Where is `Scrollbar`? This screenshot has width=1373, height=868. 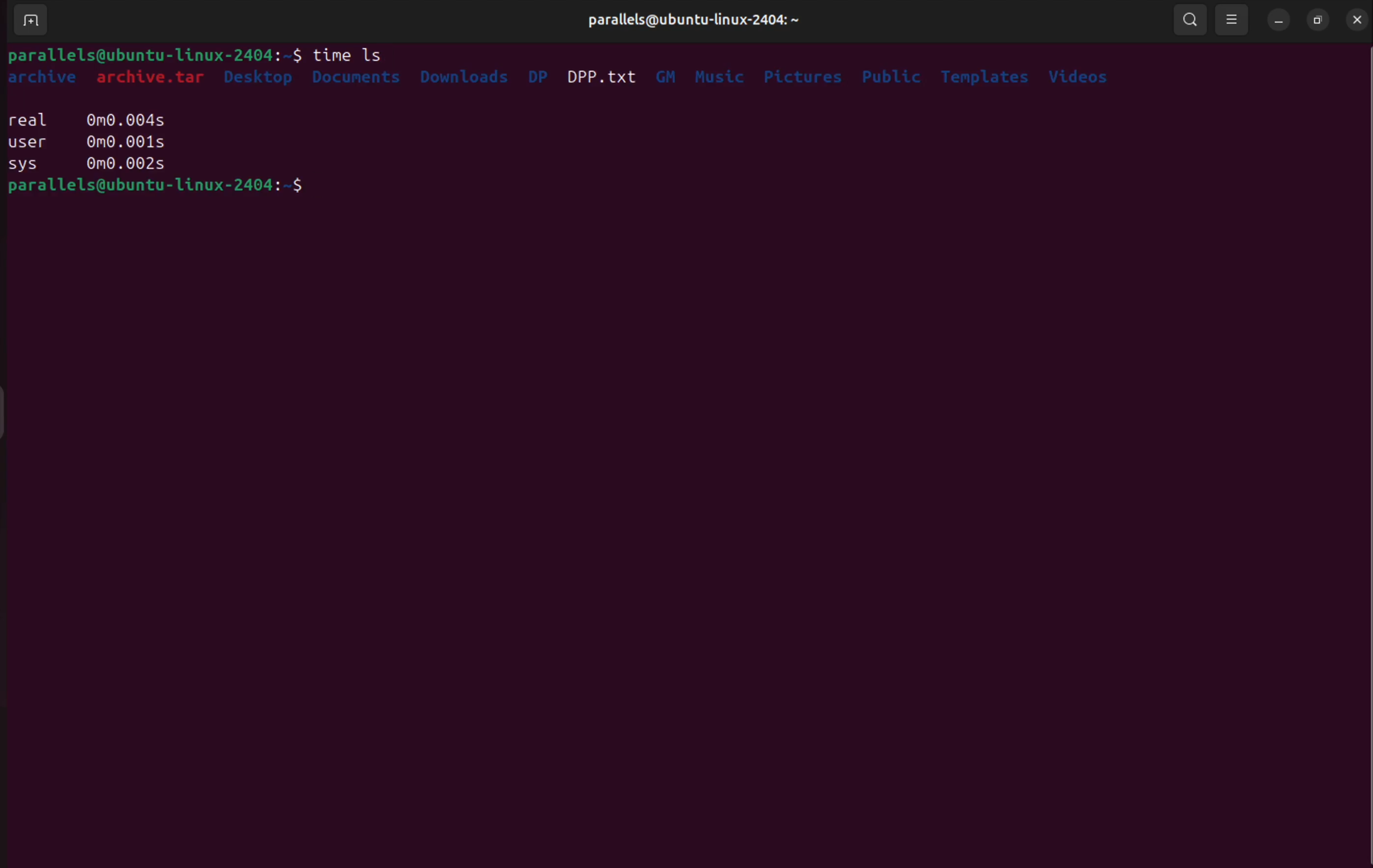
Scrollbar is located at coordinates (1364, 455).